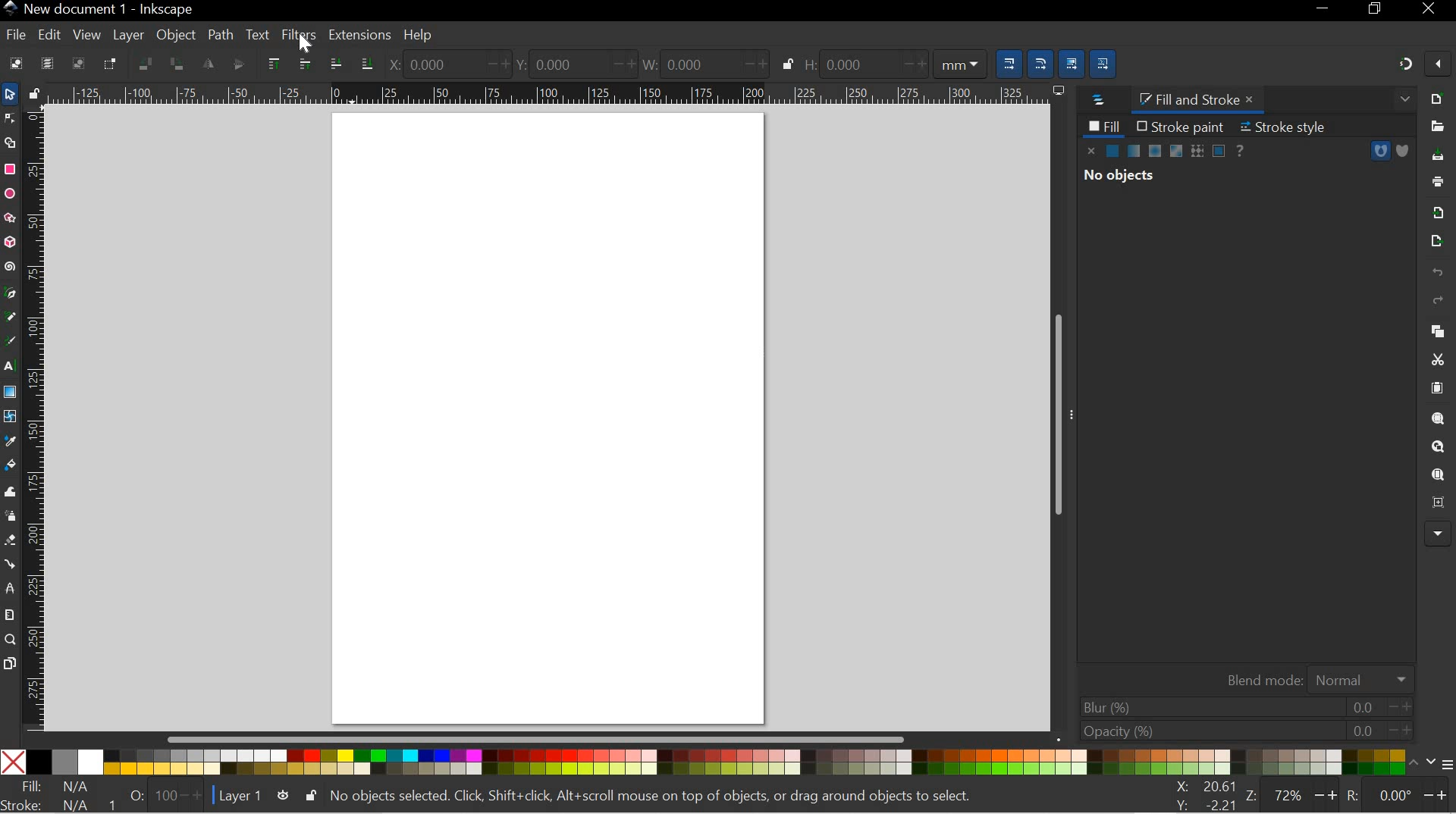  What do you see at coordinates (1401, 151) in the screenshot?
I see `SOLID FILL` at bounding box center [1401, 151].